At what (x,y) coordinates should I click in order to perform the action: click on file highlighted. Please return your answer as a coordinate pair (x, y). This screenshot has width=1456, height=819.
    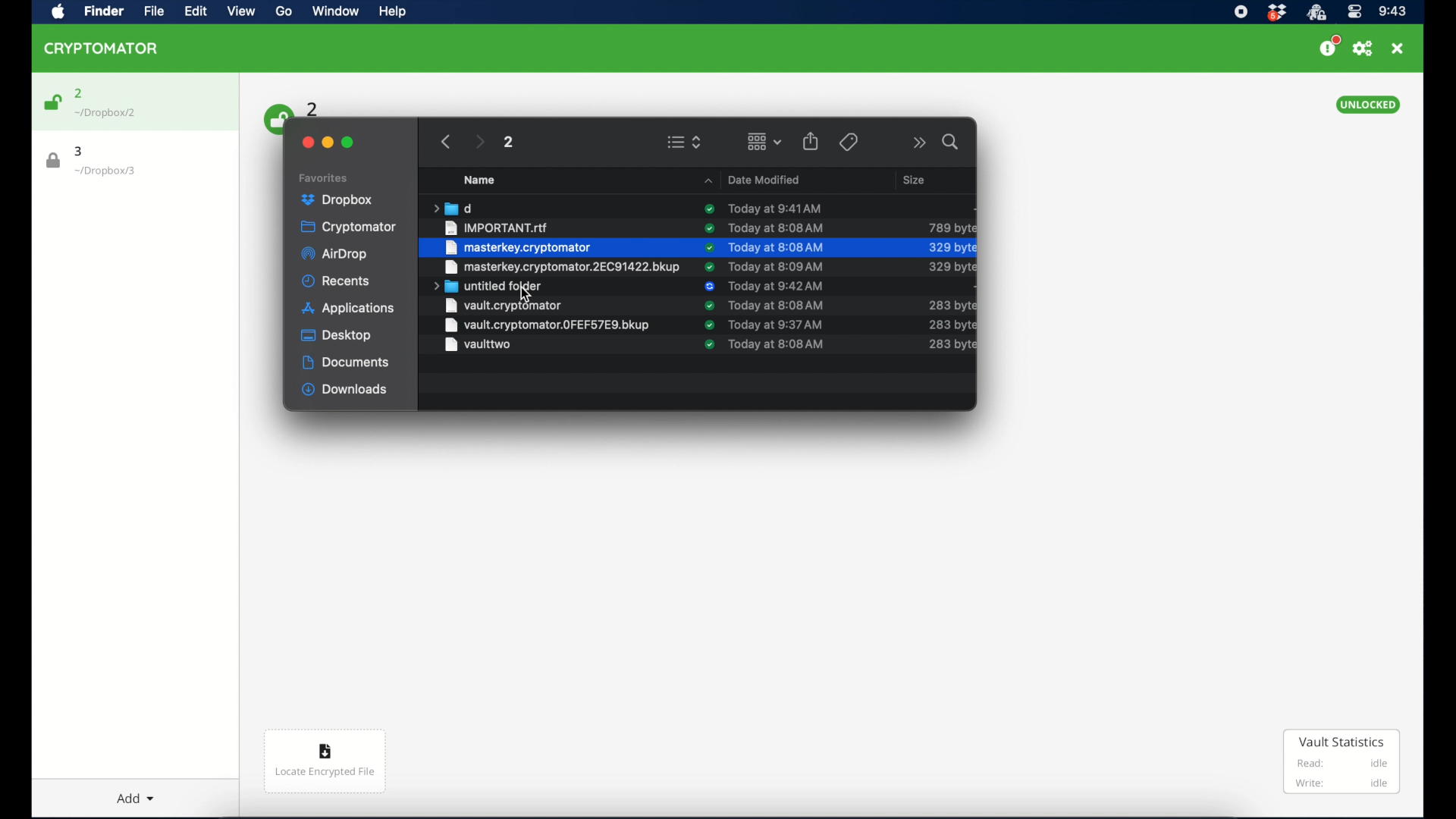
    Looking at the image, I should click on (697, 248).